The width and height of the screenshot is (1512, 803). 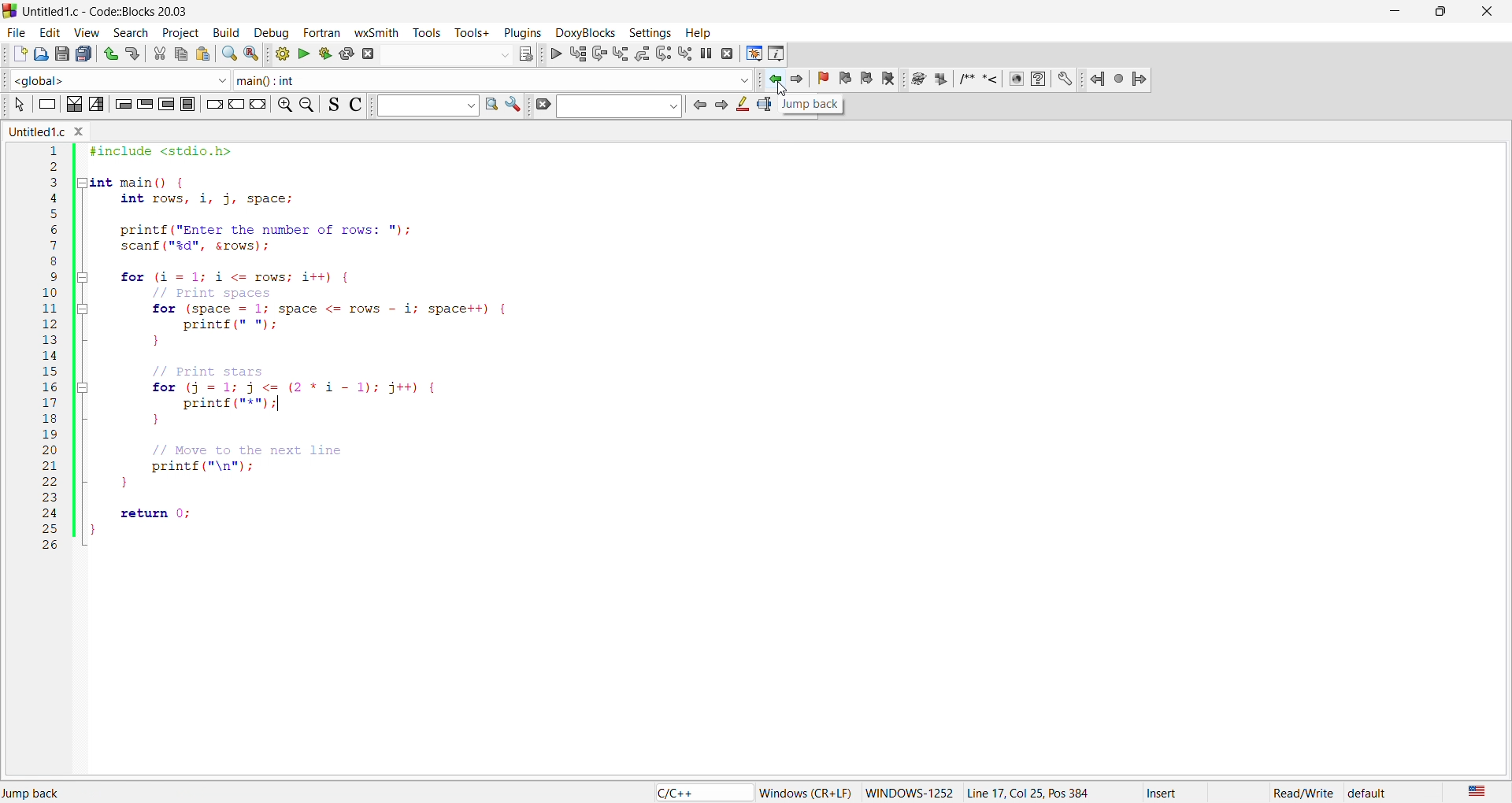 What do you see at coordinates (775, 77) in the screenshot?
I see `jump backward` at bounding box center [775, 77].